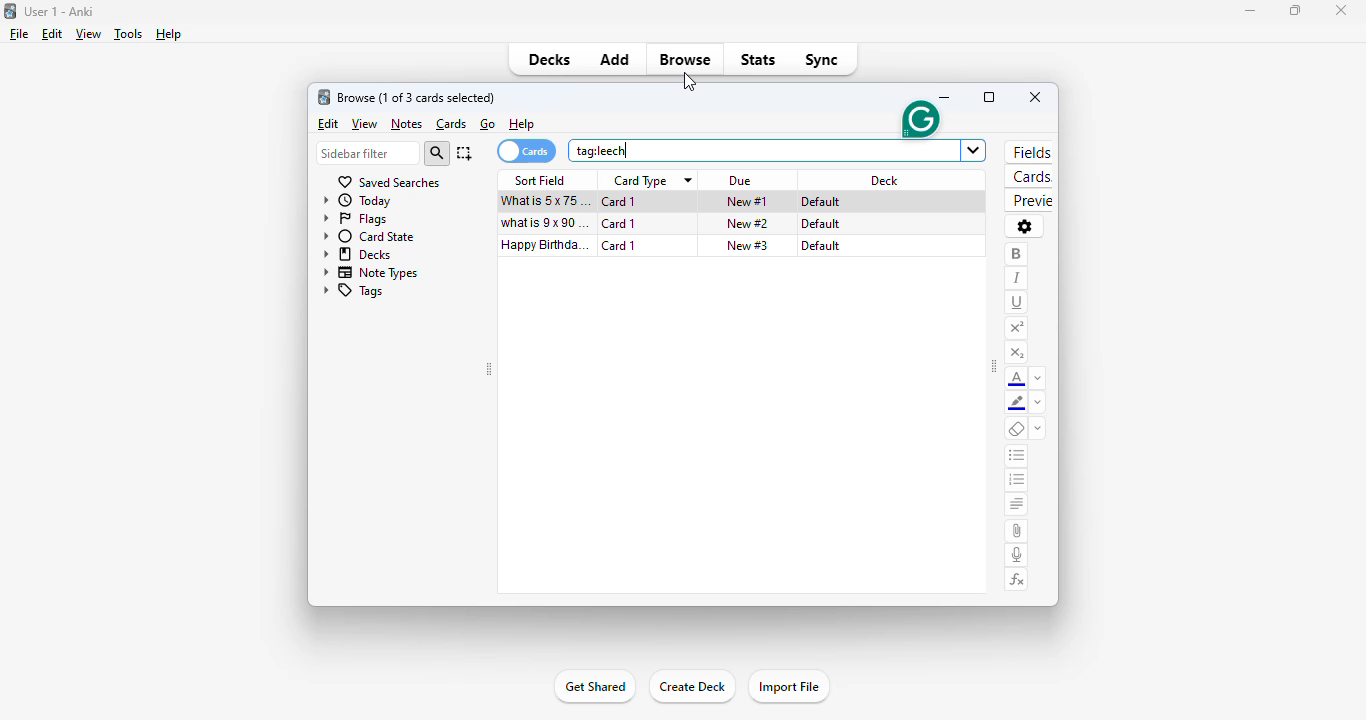 The image size is (1366, 720). What do you see at coordinates (1028, 176) in the screenshot?
I see `cards` at bounding box center [1028, 176].